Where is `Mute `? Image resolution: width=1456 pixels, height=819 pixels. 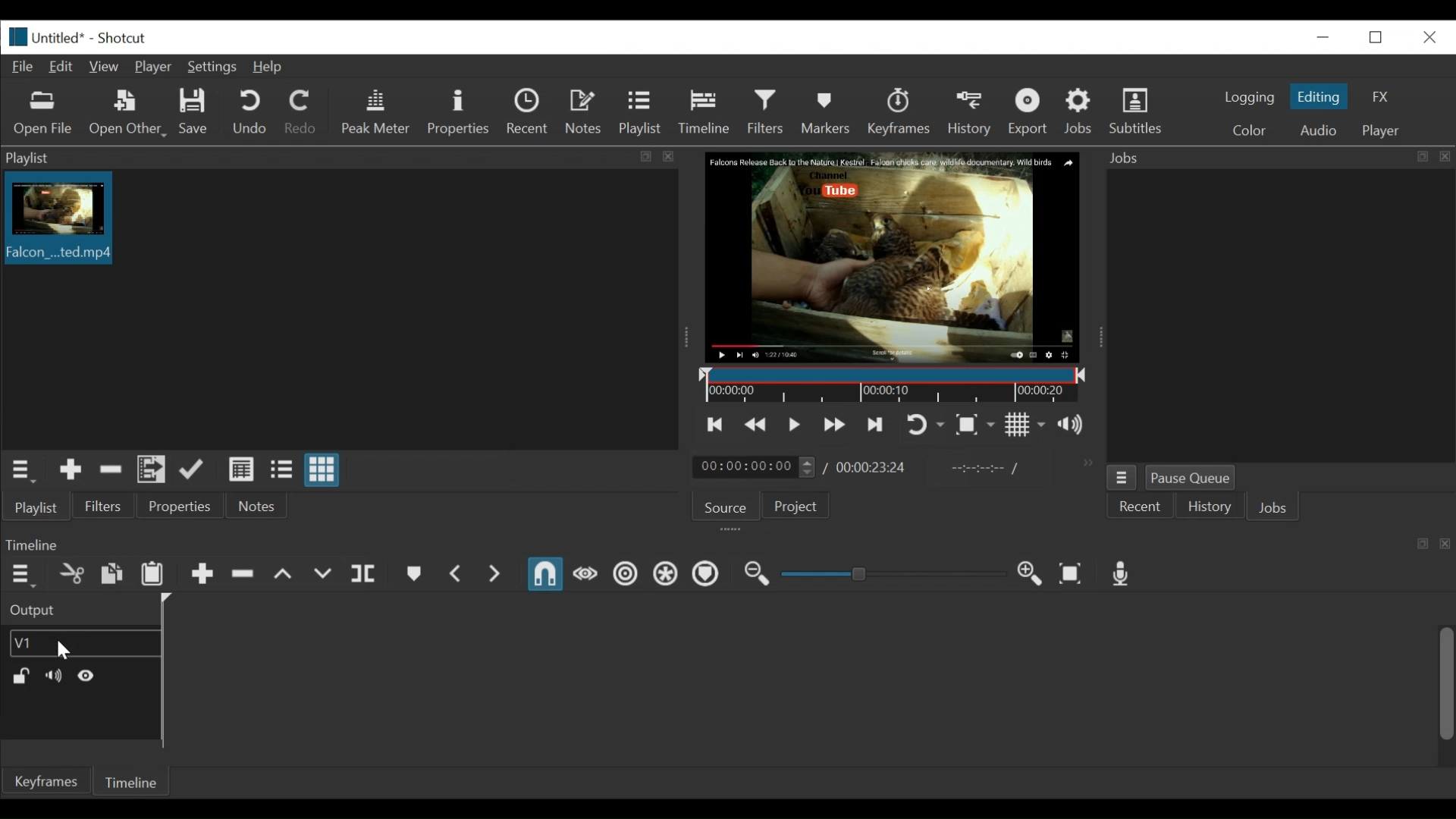 Mute  is located at coordinates (51, 676).